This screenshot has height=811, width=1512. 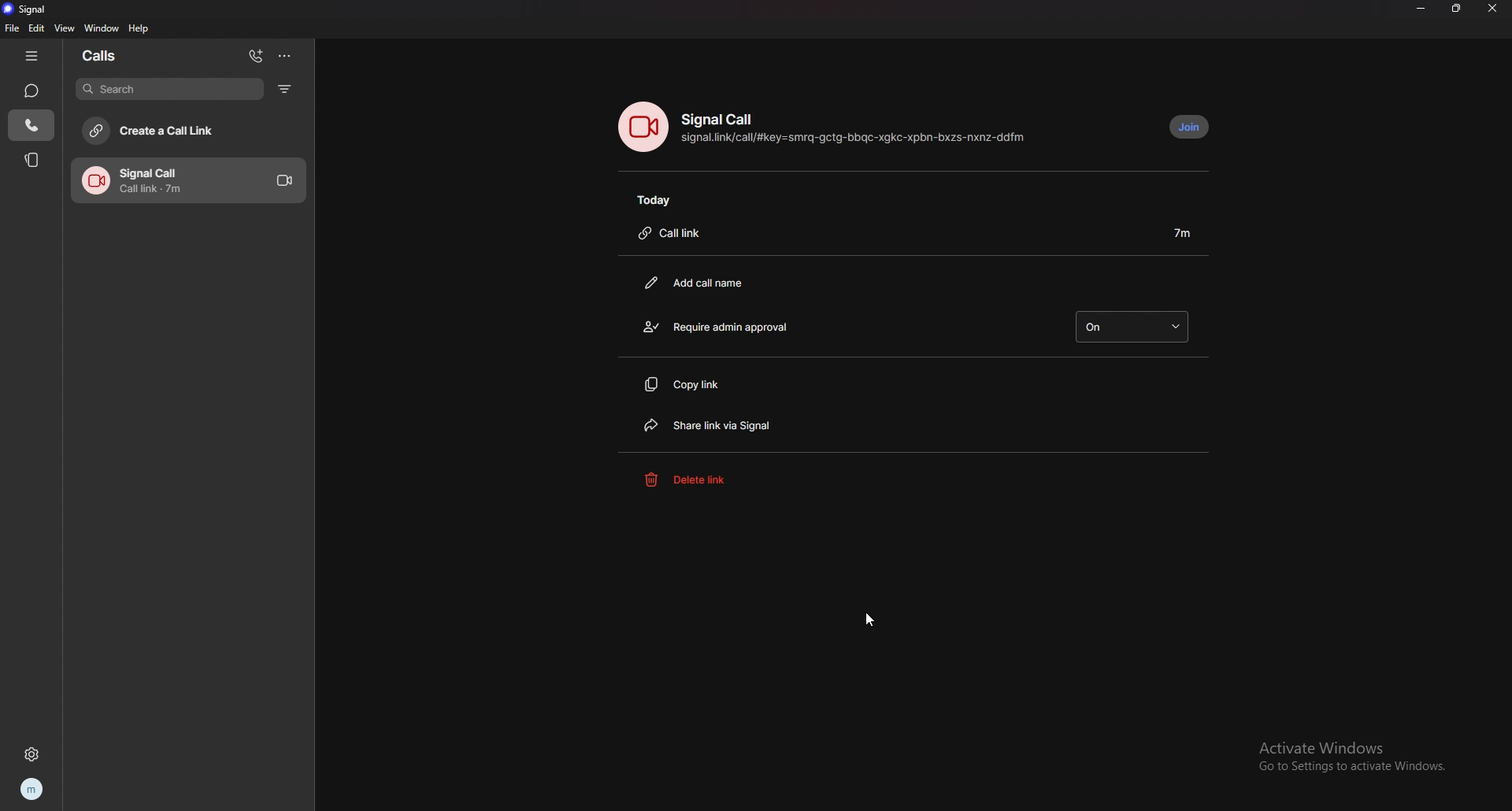 What do you see at coordinates (11, 28) in the screenshot?
I see `file` at bounding box center [11, 28].